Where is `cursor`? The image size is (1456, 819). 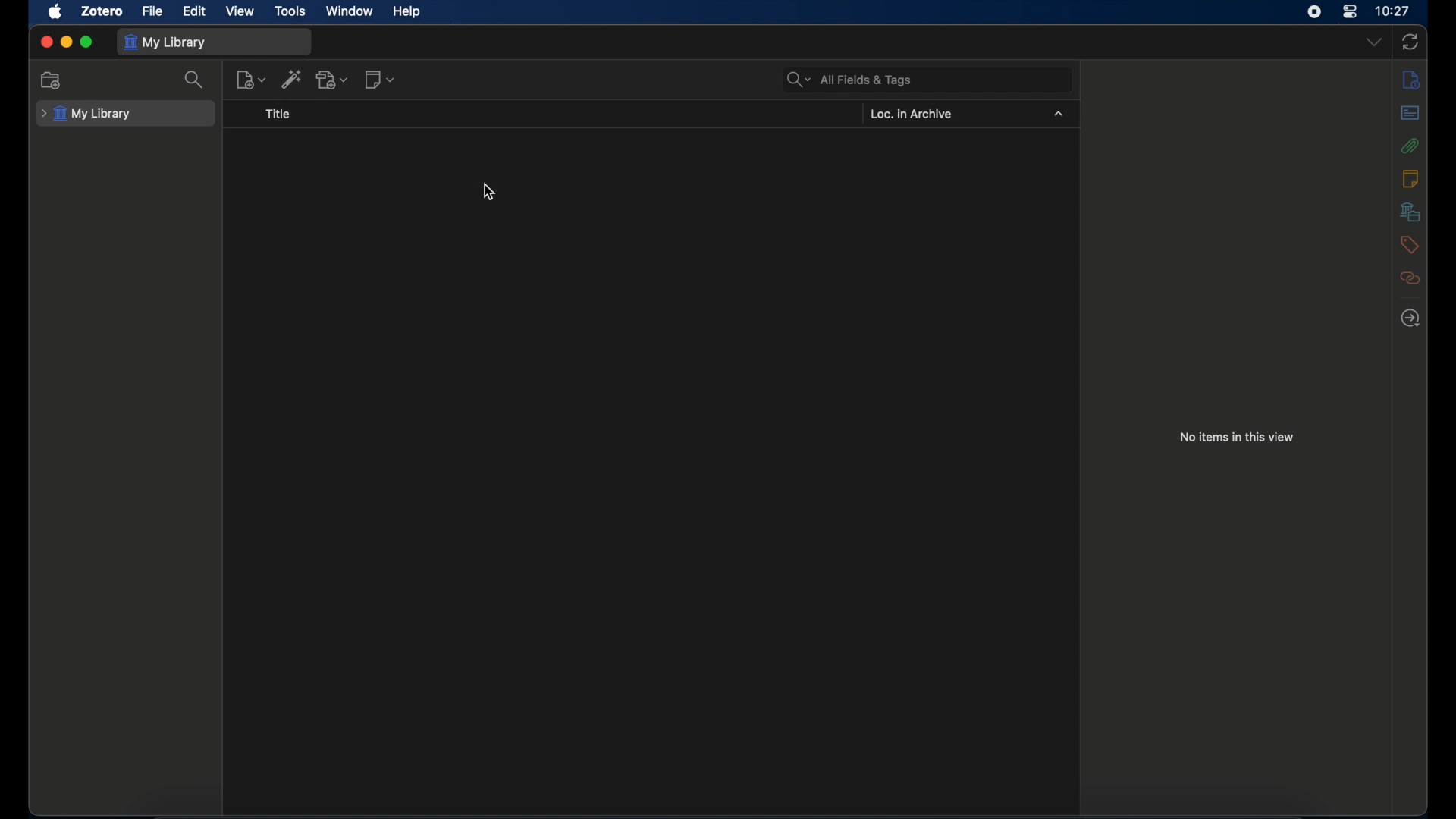 cursor is located at coordinates (490, 193).